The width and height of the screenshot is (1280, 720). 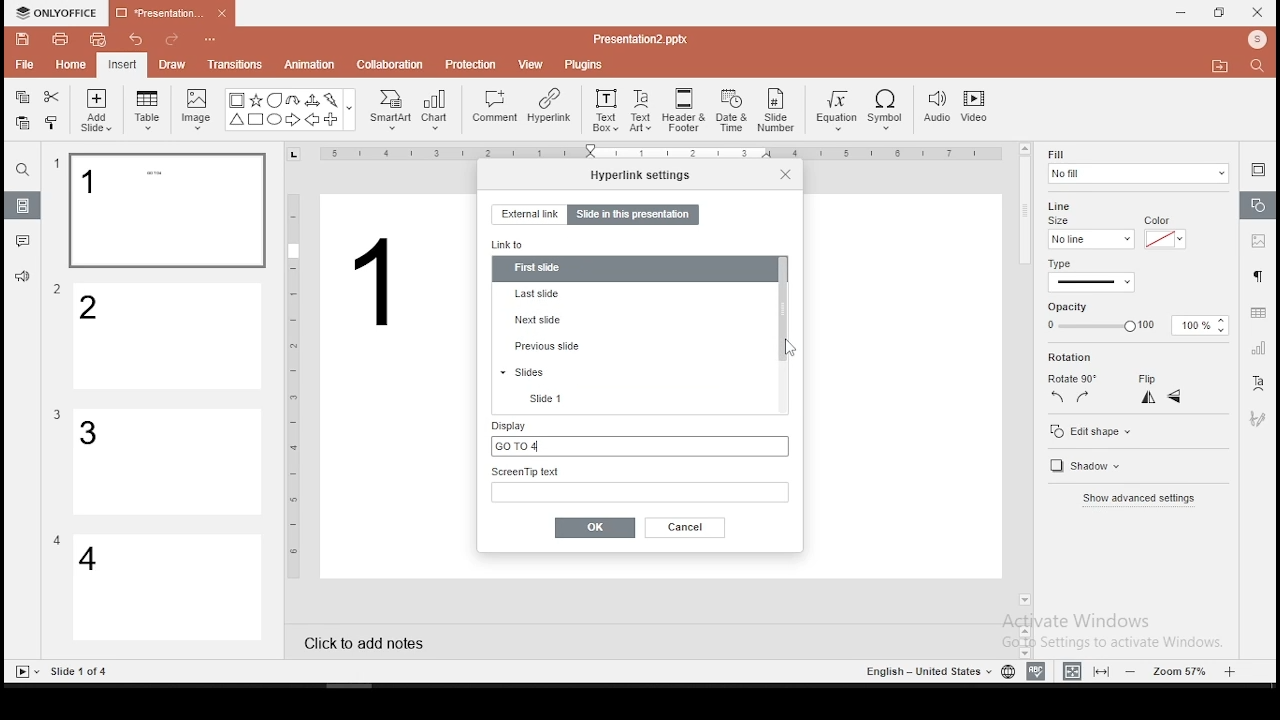 I want to click on , so click(x=350, y=111).